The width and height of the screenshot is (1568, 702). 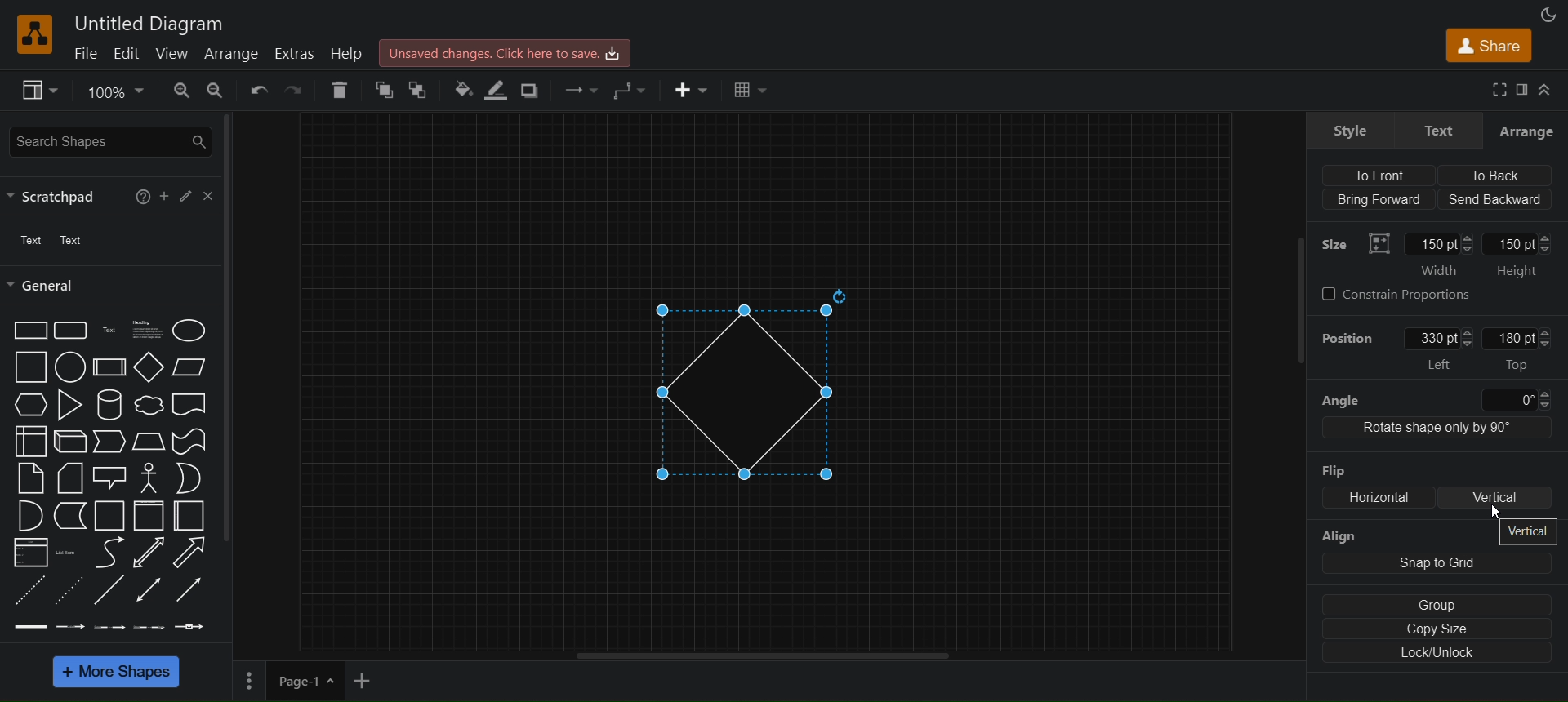 I want to click on width, so click(x=1439, y=258).